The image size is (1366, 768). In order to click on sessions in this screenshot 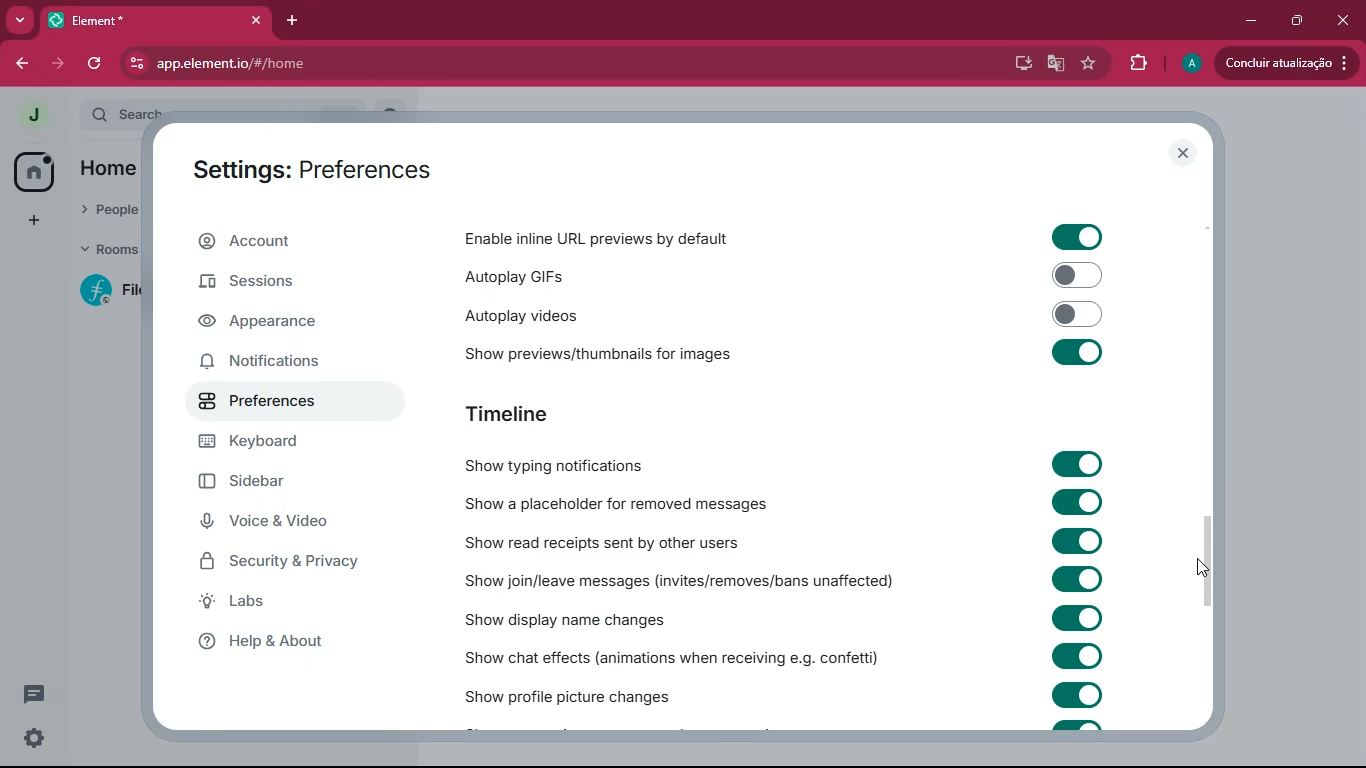, I will do `click(273, 287)`.